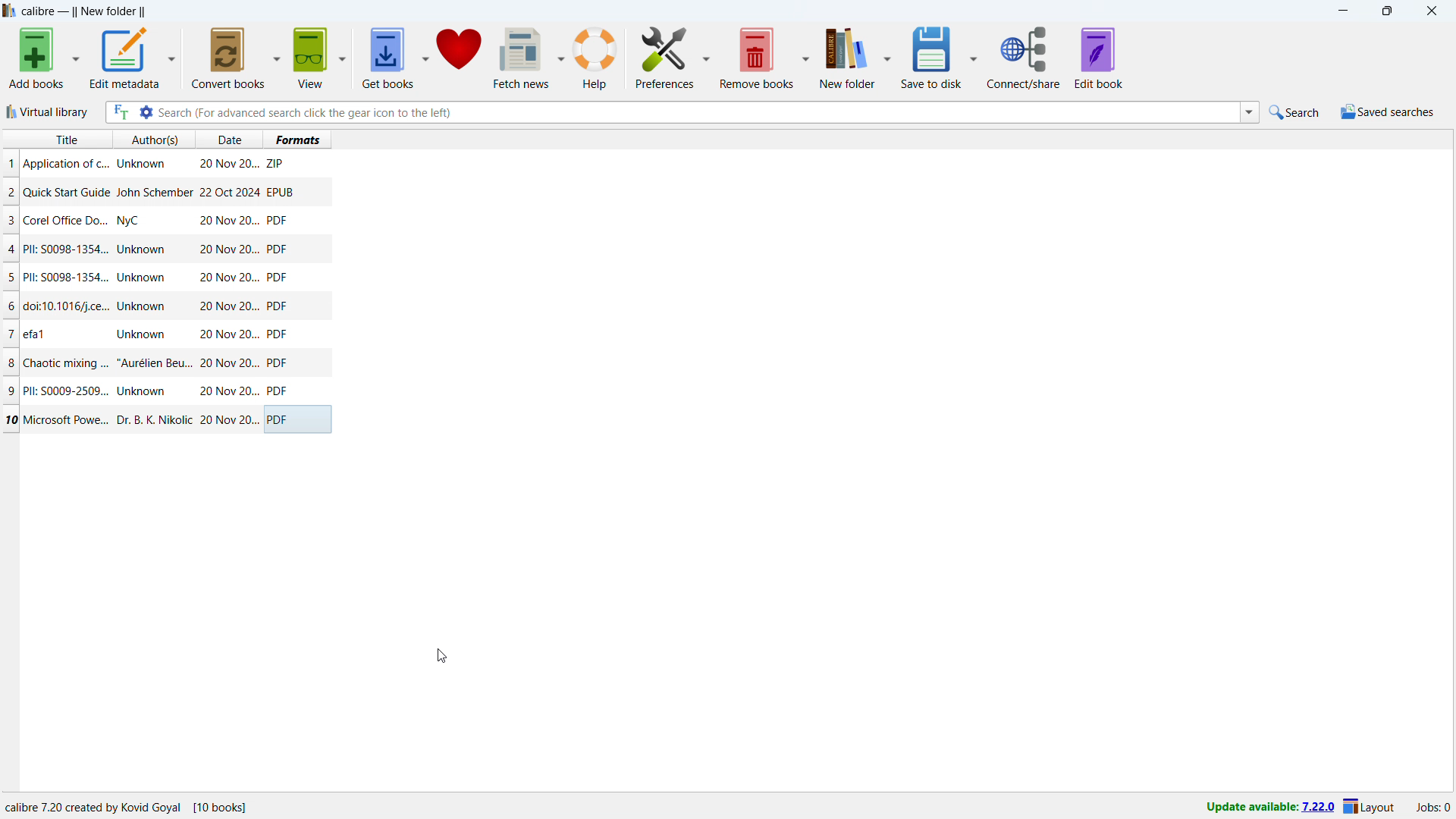 Image resolution: width=1456 pixels, height=819 pixels. What do you see at coordinates (282, 192) in the screenshot?
I see `EPUB` at bounding box center [282, 192].